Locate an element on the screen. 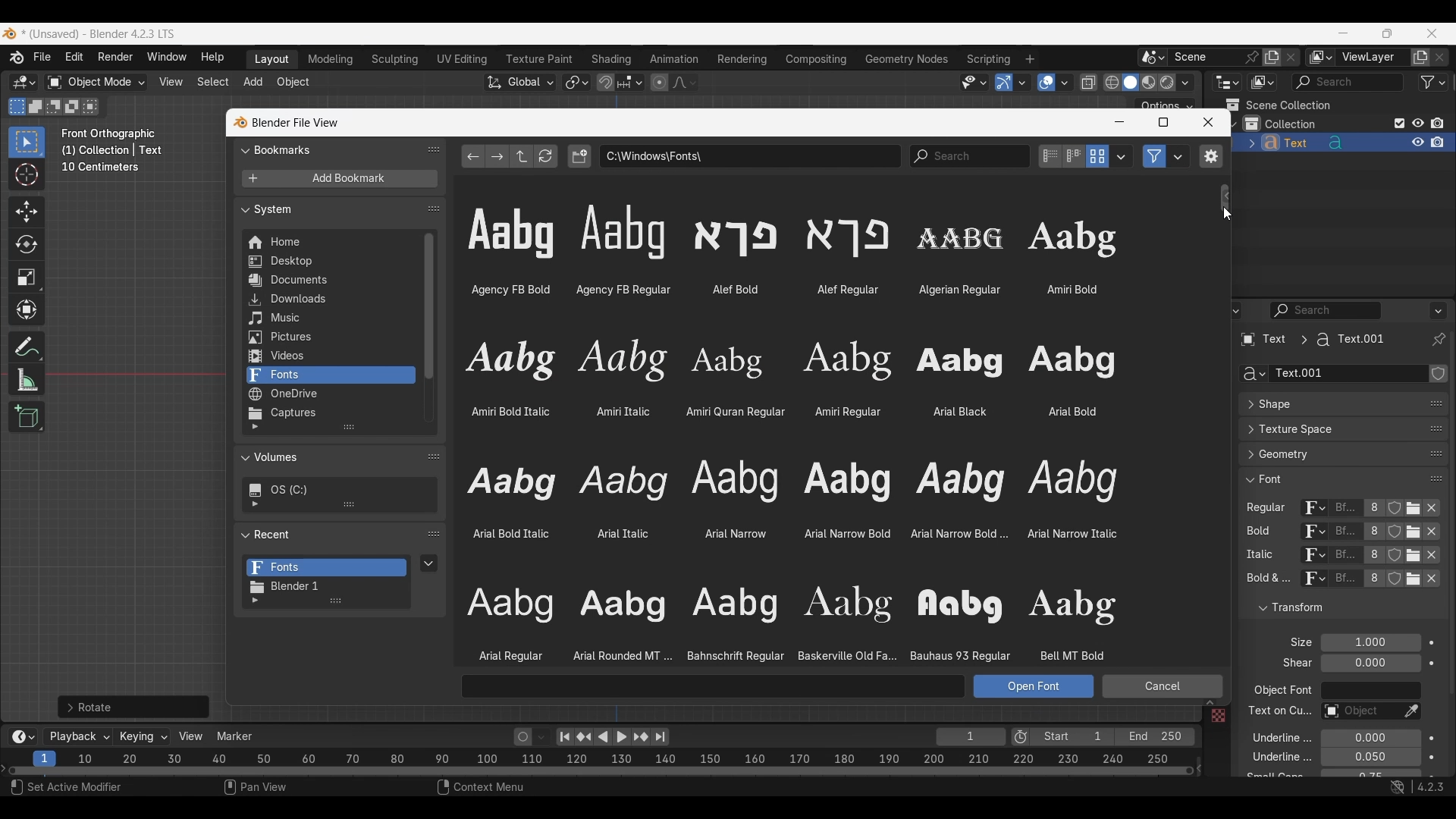 This screenshot has width=1456, height=819. Proportional editing objects is located at coordinates (659, 82).